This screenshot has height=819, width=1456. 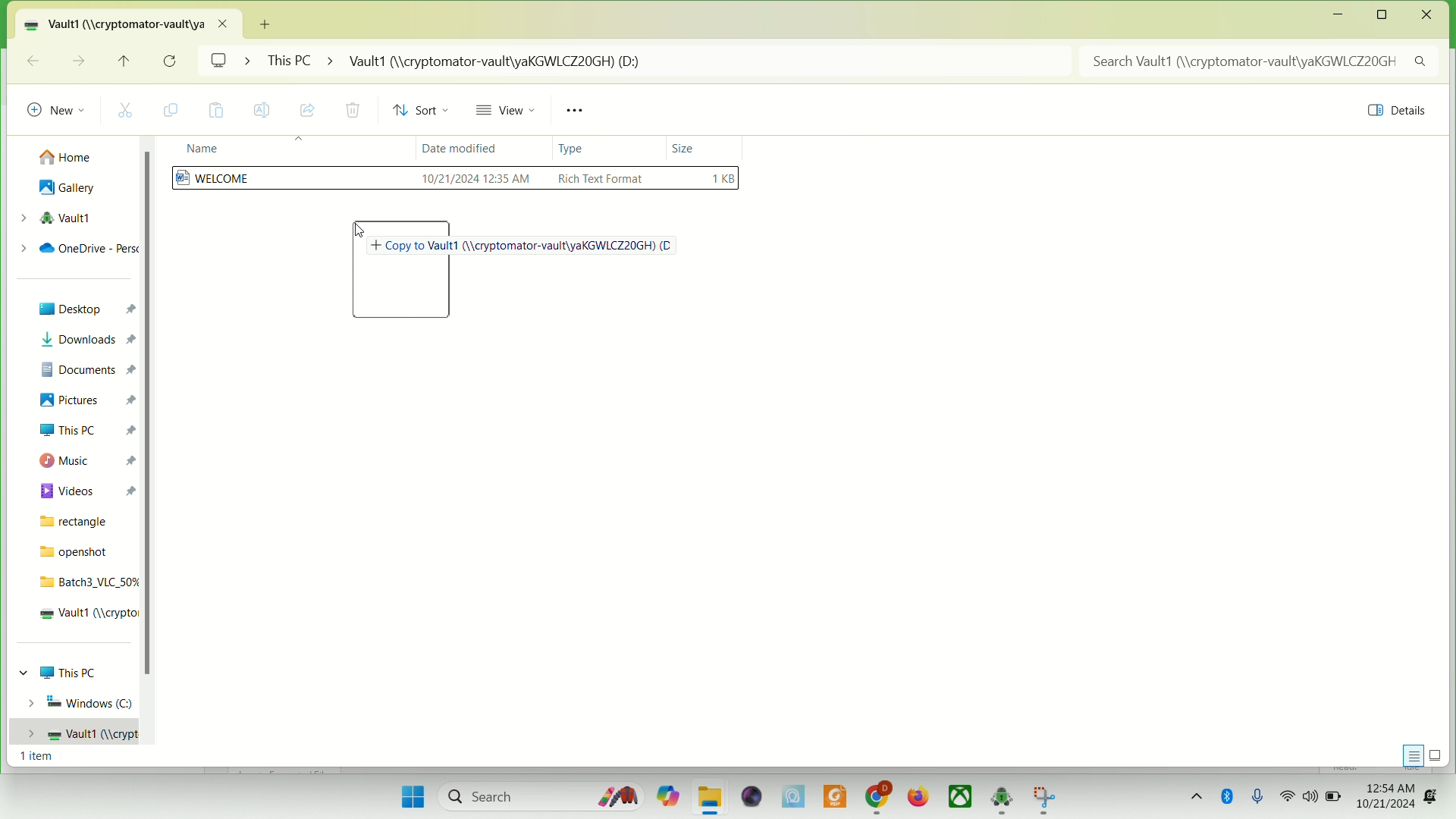 What do you see at coordinates (412, 795) in the screenshot?
I see `start` at bounding box center [412, 795].